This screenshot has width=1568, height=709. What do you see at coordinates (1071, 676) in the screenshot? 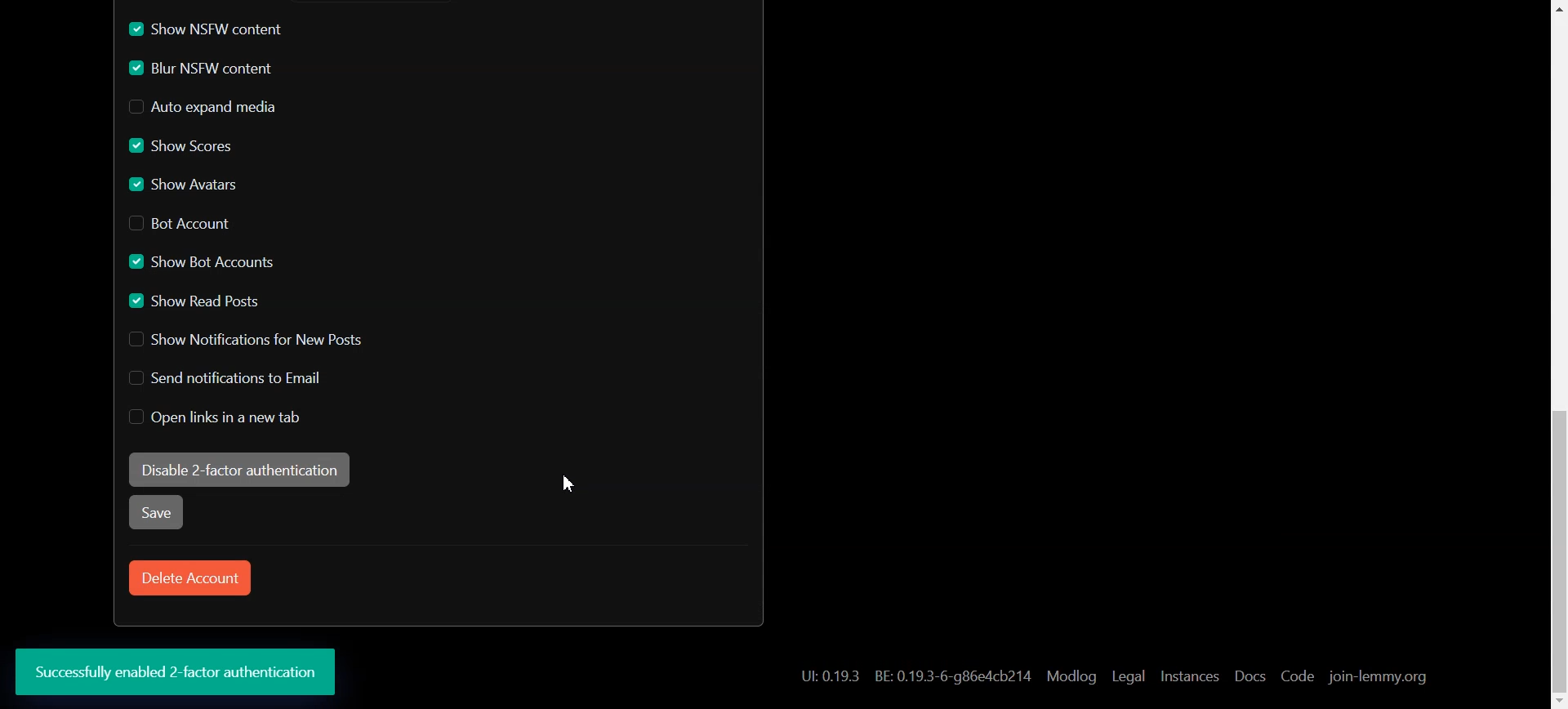
I see `Modlog` at bounding box center [1071, 676].